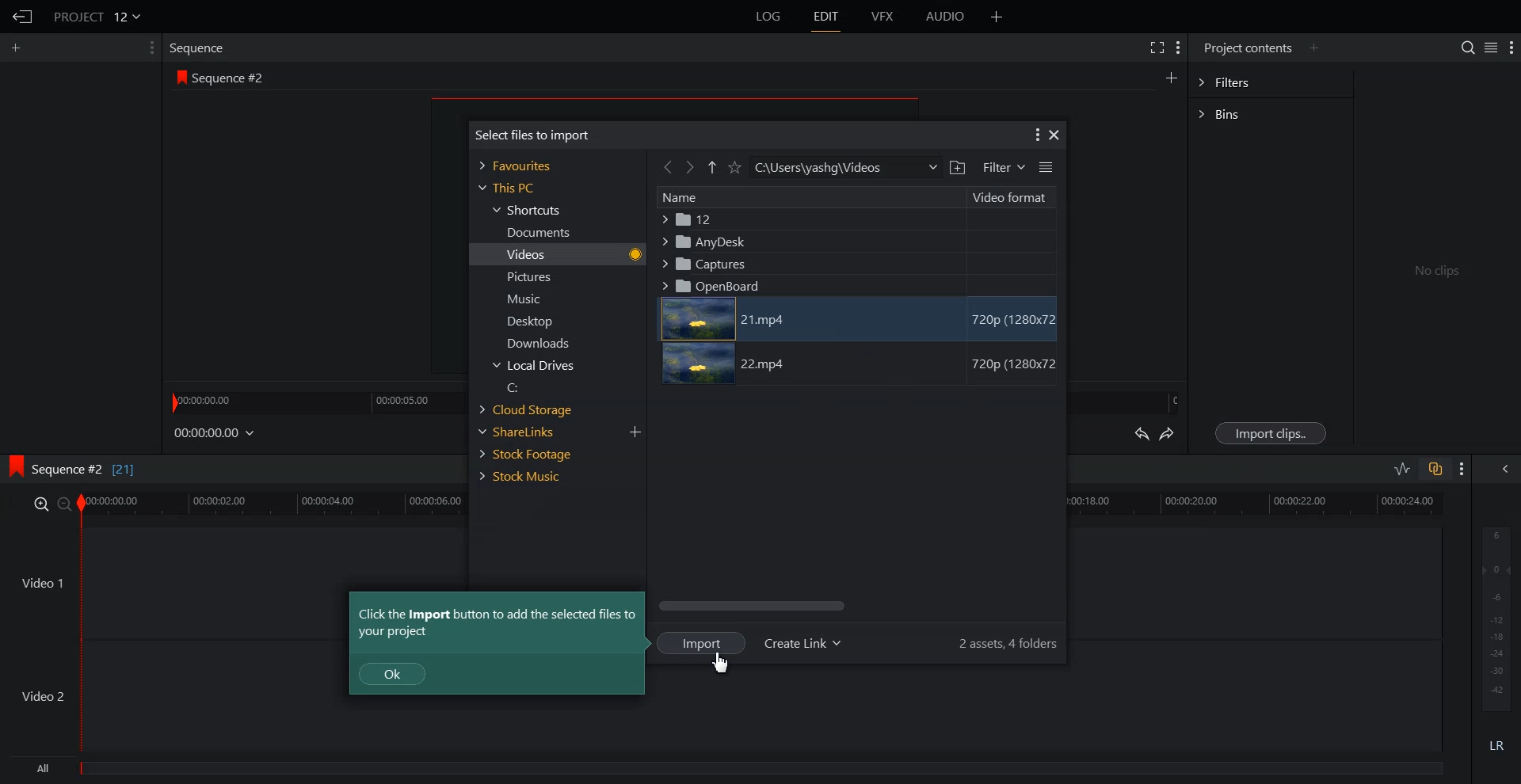 The width and height of the screenshot is (1521, 784). I want to click on Import, so click(702, 642).